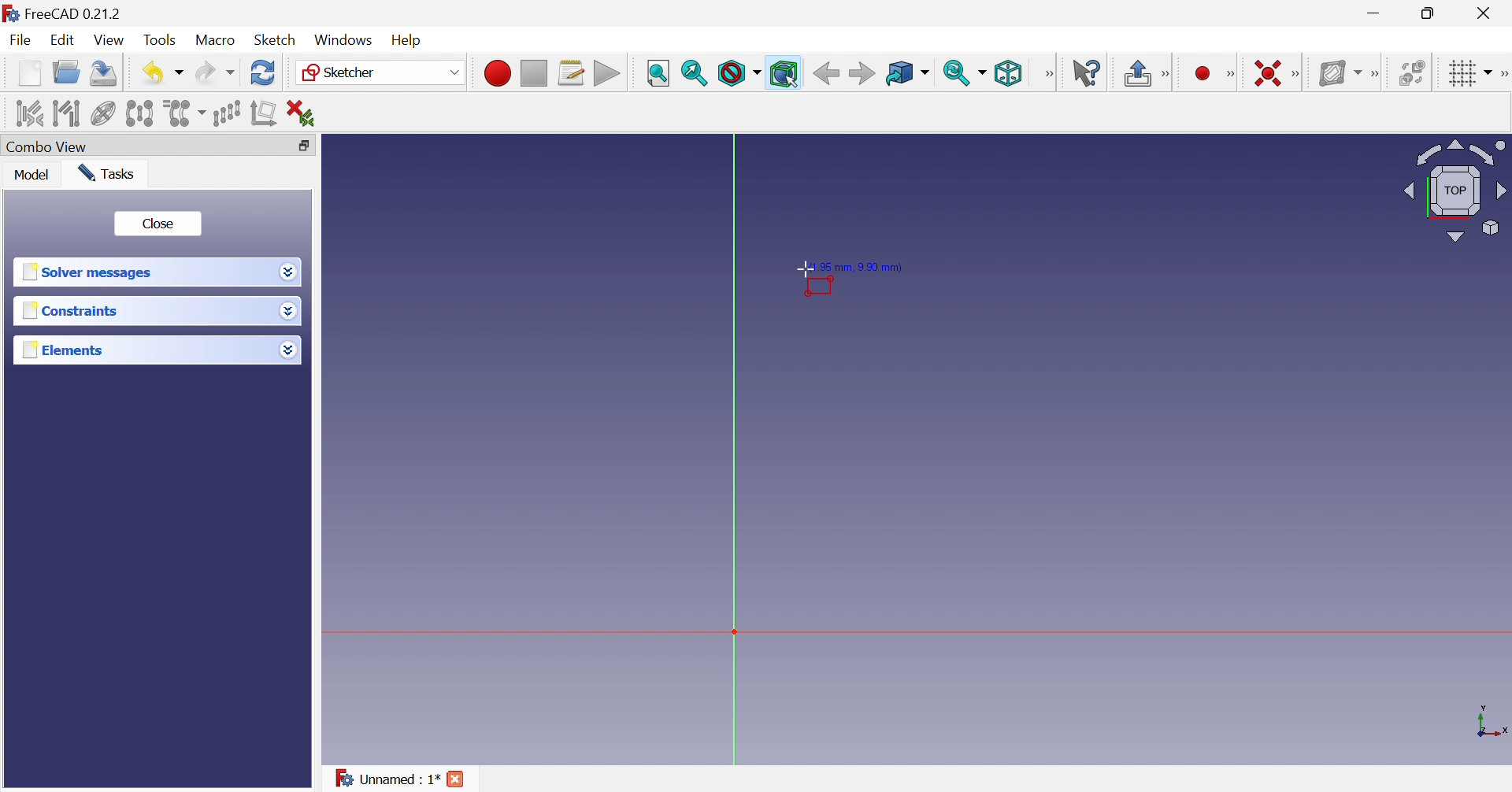  What do you see at coordinates (1203, 74) in the screenshot?
I see `Create circle` at bounding box center [1203, 74].